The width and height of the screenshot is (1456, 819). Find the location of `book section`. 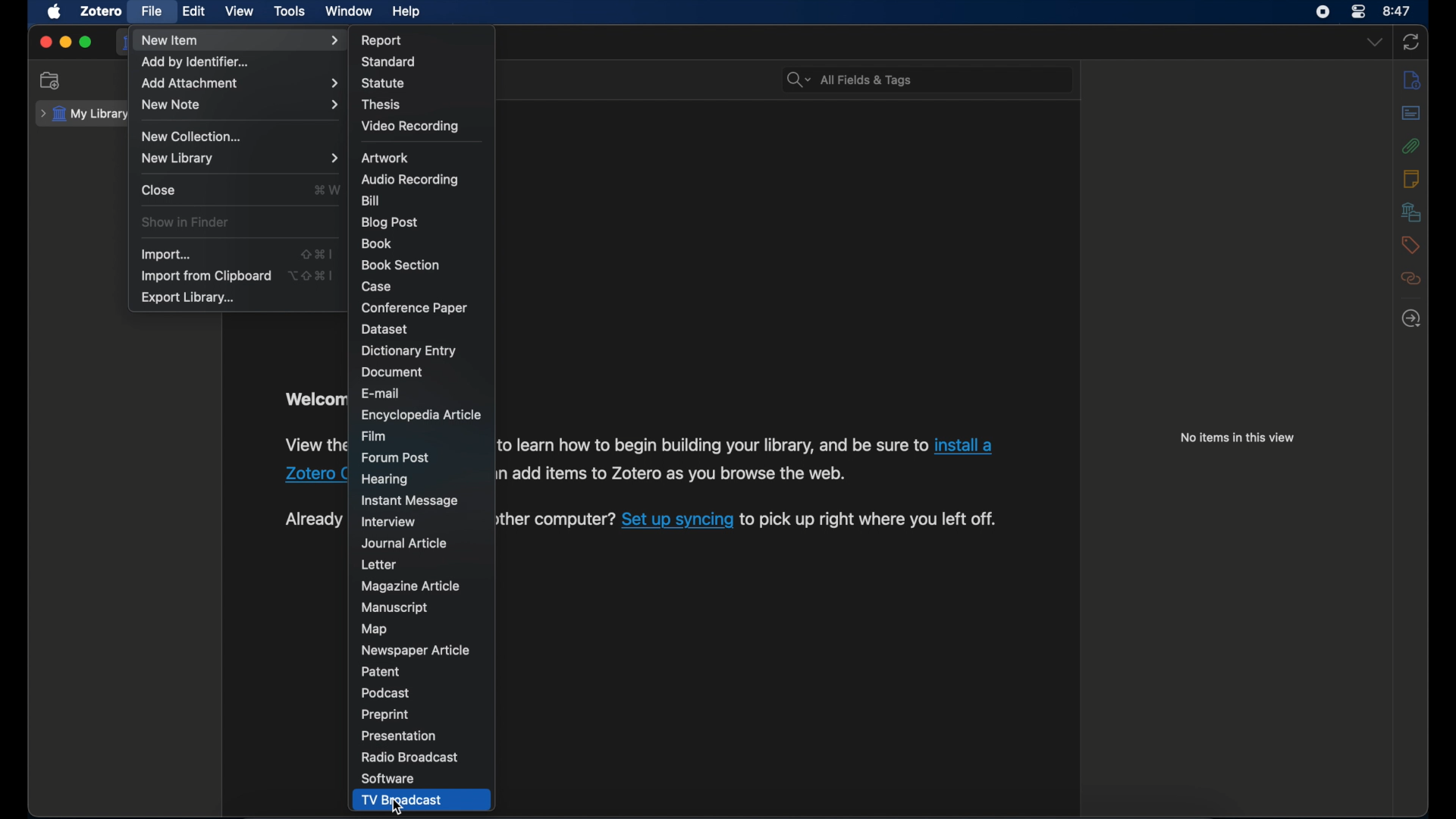

book section is located at coordinates (401, 265).